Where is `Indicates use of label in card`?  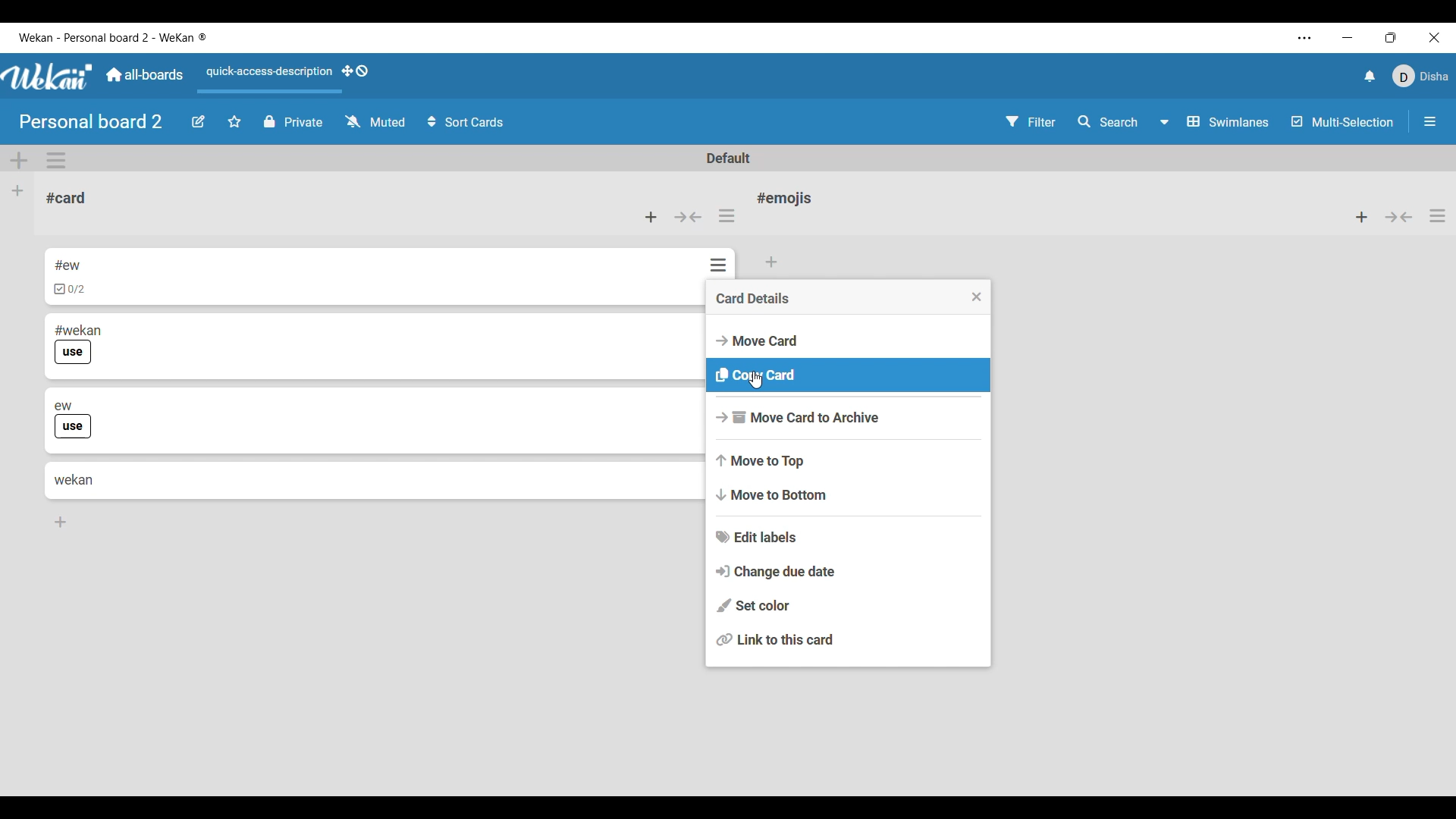 Indicates use of label in card is located at coordinates (74, 353).